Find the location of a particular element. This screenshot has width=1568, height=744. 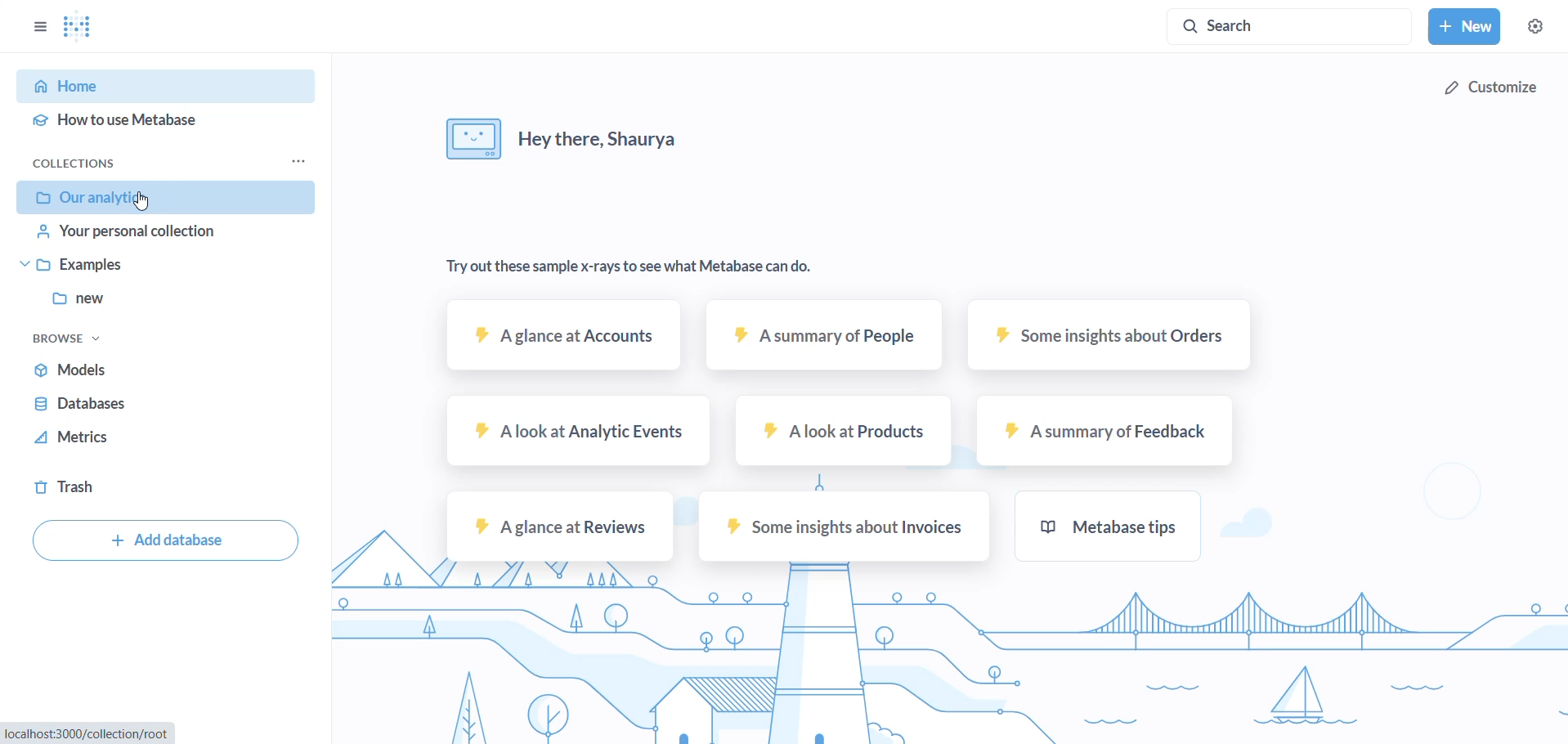

A look at product sample is located at coordinates (844, 433).